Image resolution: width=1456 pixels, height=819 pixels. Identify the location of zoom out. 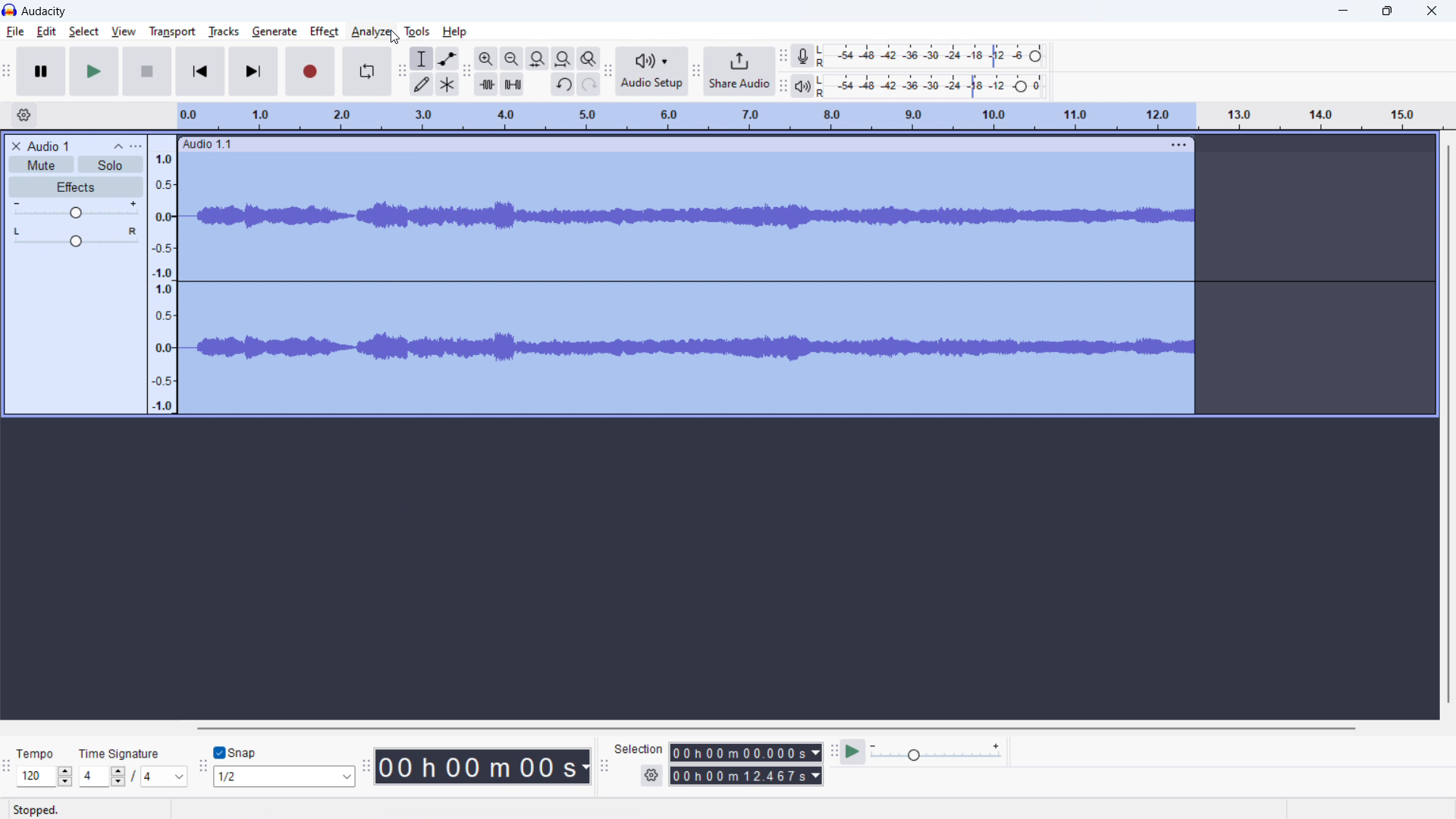
(512, 58).